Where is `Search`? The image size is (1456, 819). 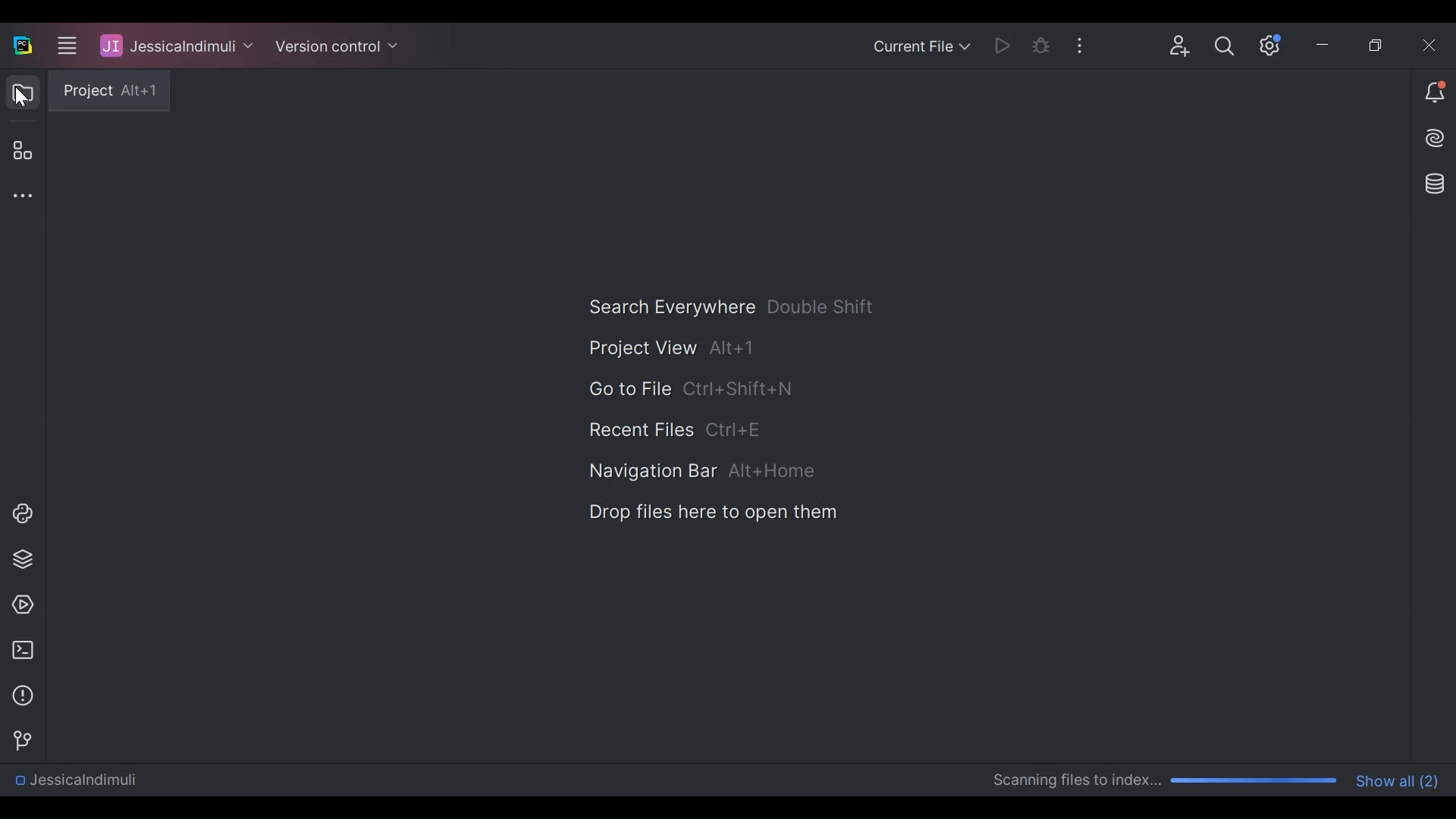
Search is located at coordinates (1225, 45).